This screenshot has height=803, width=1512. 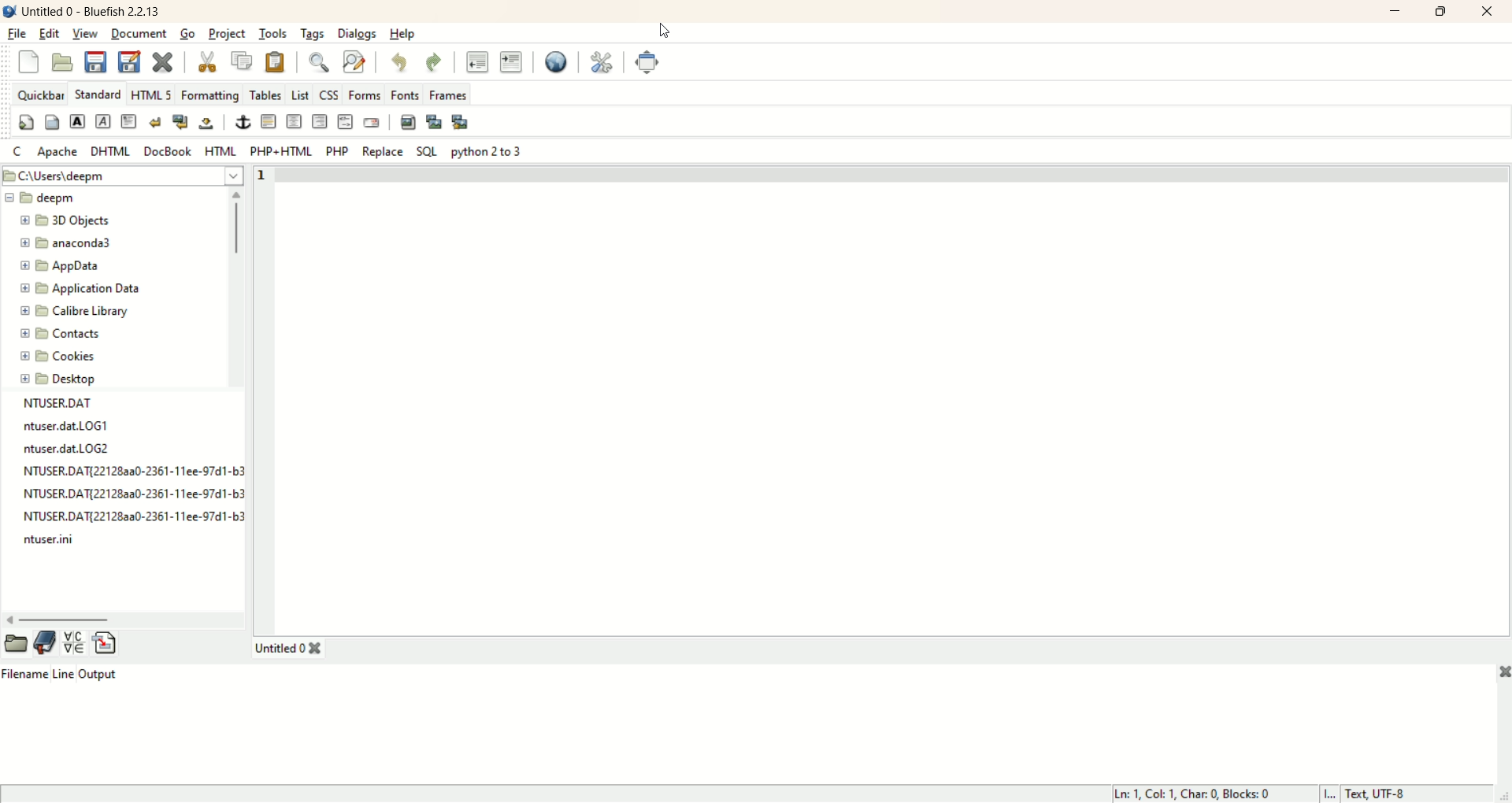 What do you see at coordinates (42, 646) in the screenshot?
I see `documentations` at bounding box center [42, 646].